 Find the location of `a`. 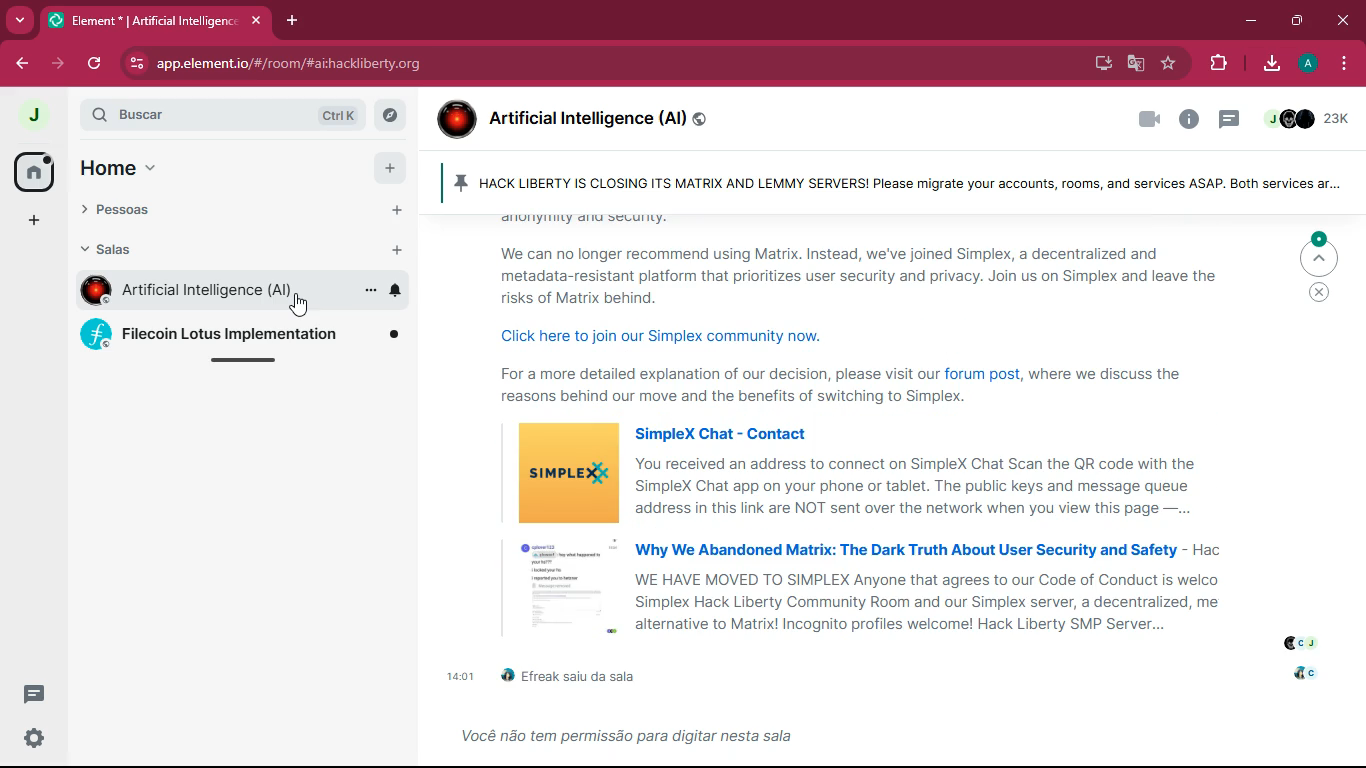

a is located at coordinates (1304, 64).